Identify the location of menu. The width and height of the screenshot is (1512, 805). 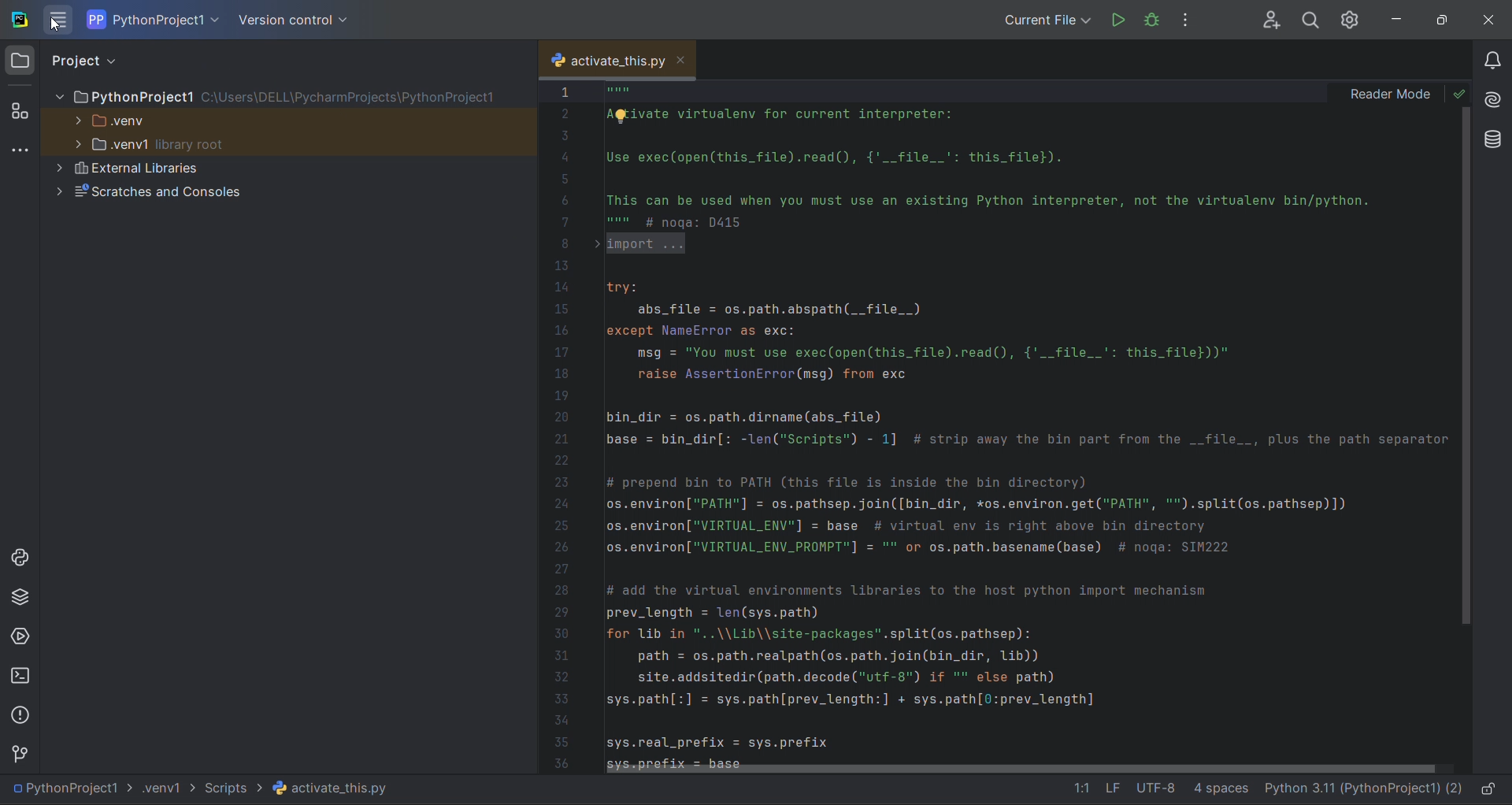
(60, 20).